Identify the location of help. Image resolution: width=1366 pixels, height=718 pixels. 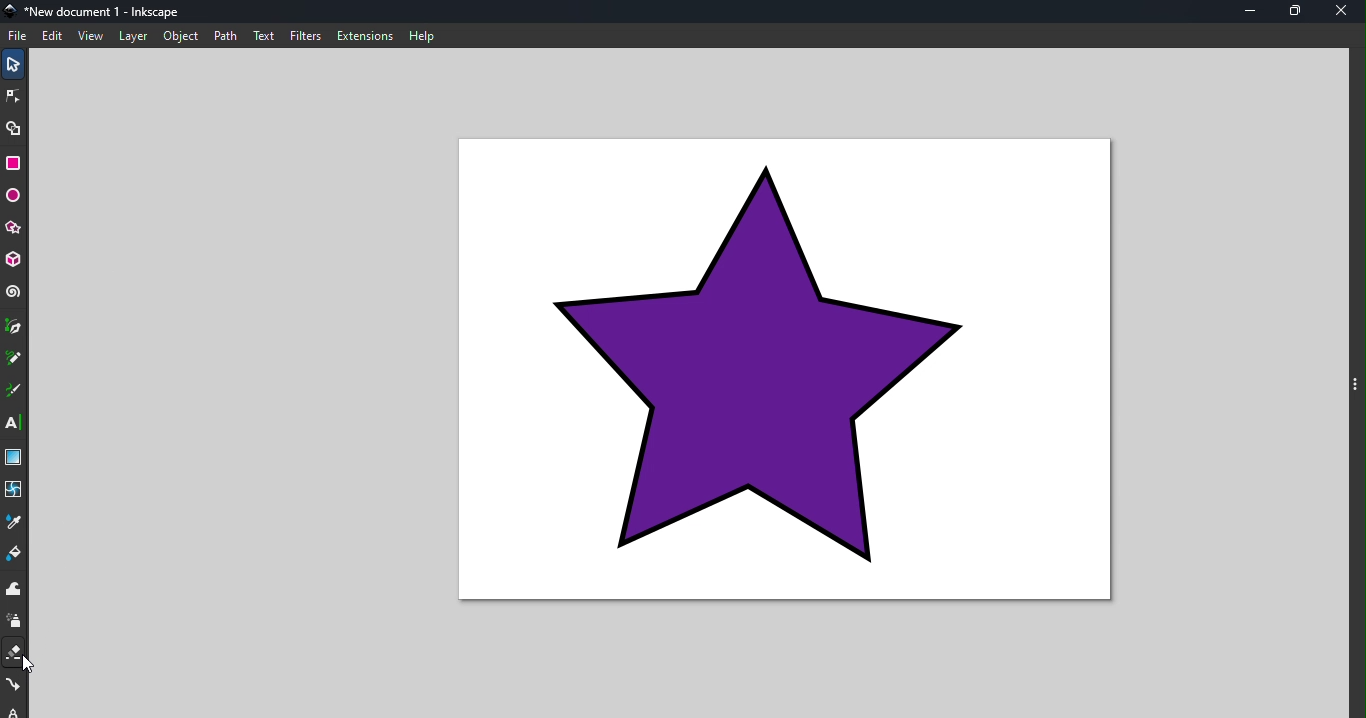
(424, 35).